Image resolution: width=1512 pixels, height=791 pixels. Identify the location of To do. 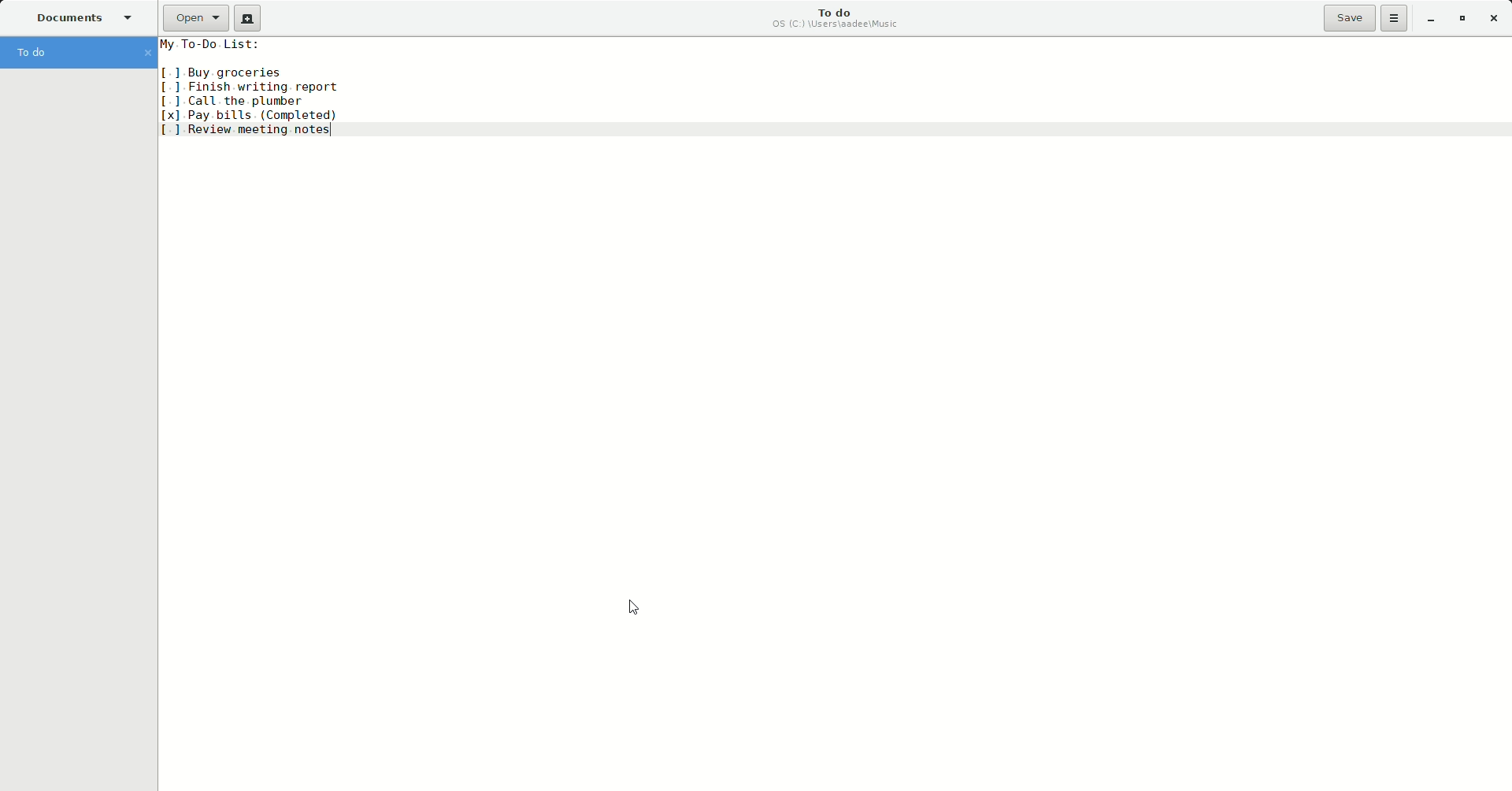
(77, 50).